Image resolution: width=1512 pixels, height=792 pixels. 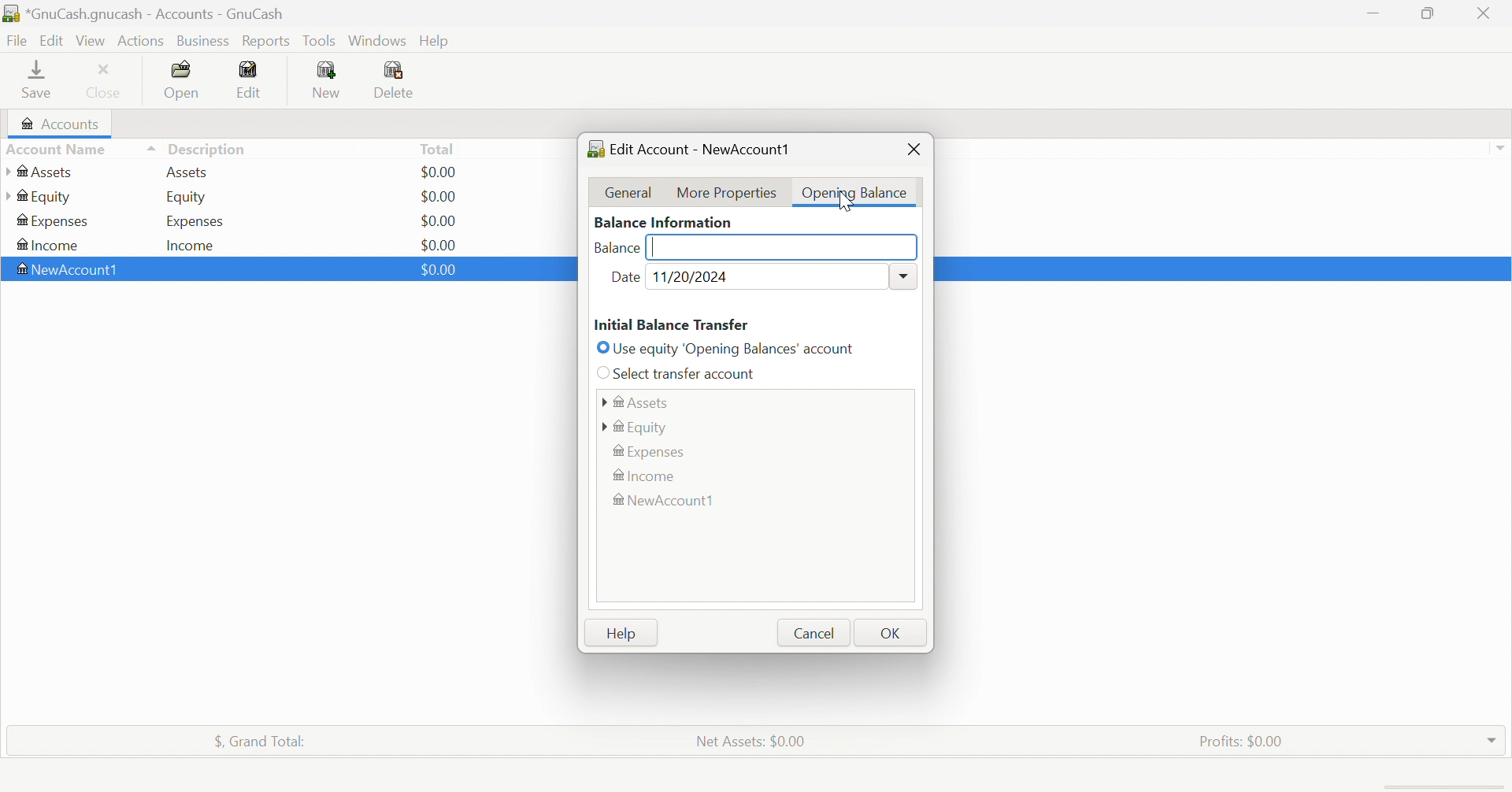 What do you see at coordinates (727, 192) in the screenshot?
I see `More Properties` at bounding box center [727, 192].